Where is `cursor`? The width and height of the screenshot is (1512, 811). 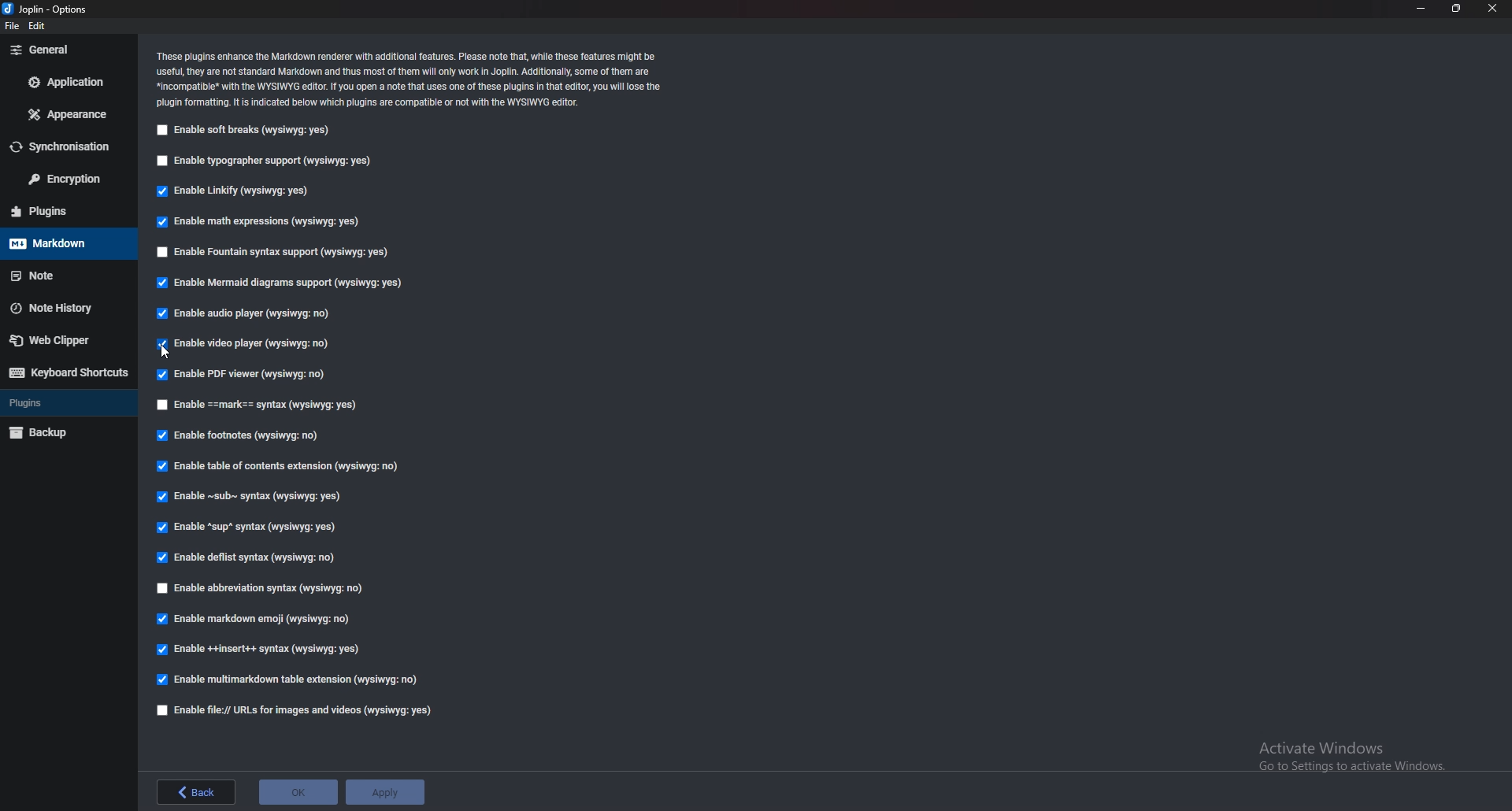 cursor is located at coordinates (170, 354).